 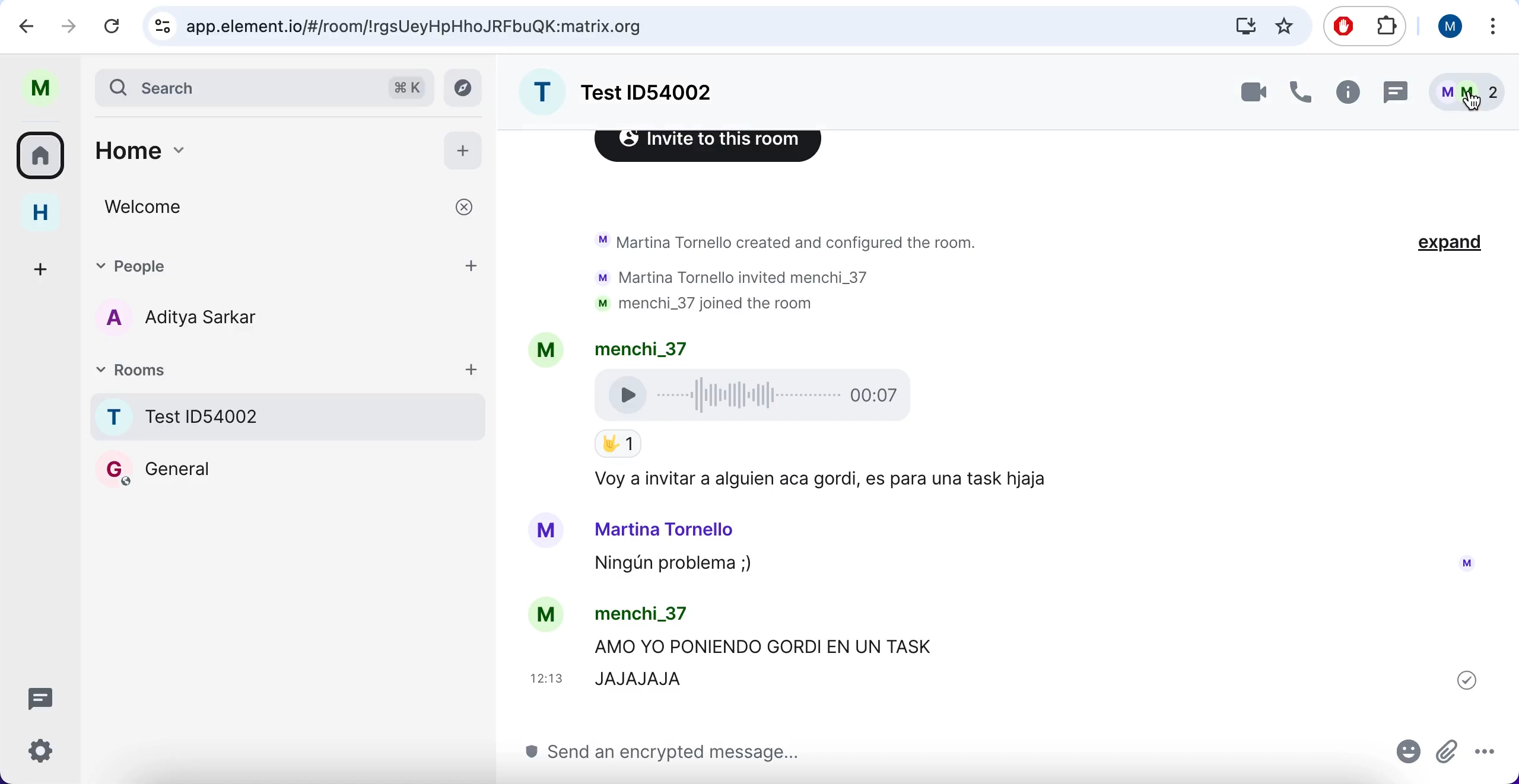 What do you see at coordinates (1385, 29) in the screenshot?
I see `extensioms` at bounding box center [1385, 29].